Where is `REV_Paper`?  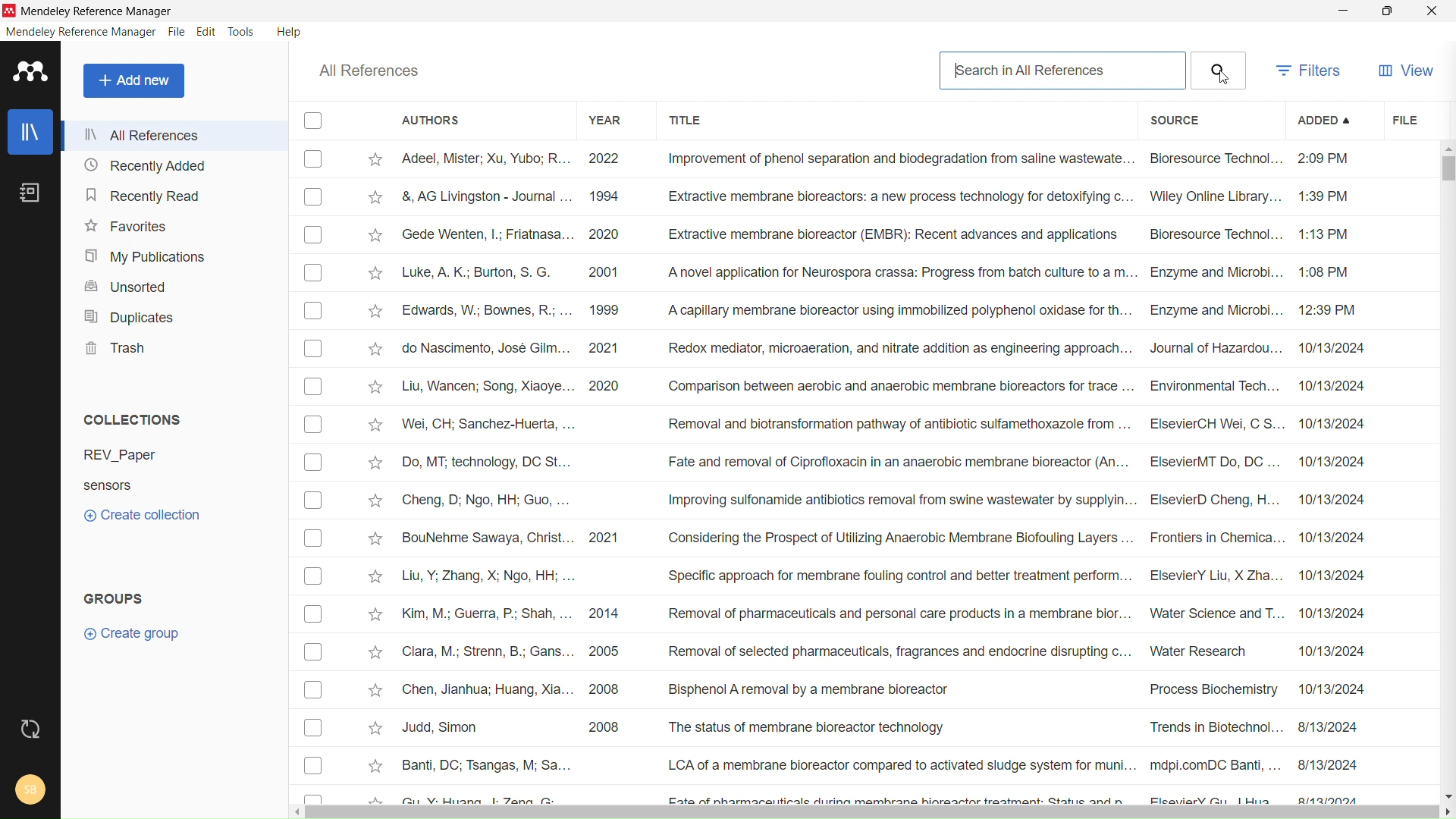 REV_Paper is located at coordinates (158, 456).